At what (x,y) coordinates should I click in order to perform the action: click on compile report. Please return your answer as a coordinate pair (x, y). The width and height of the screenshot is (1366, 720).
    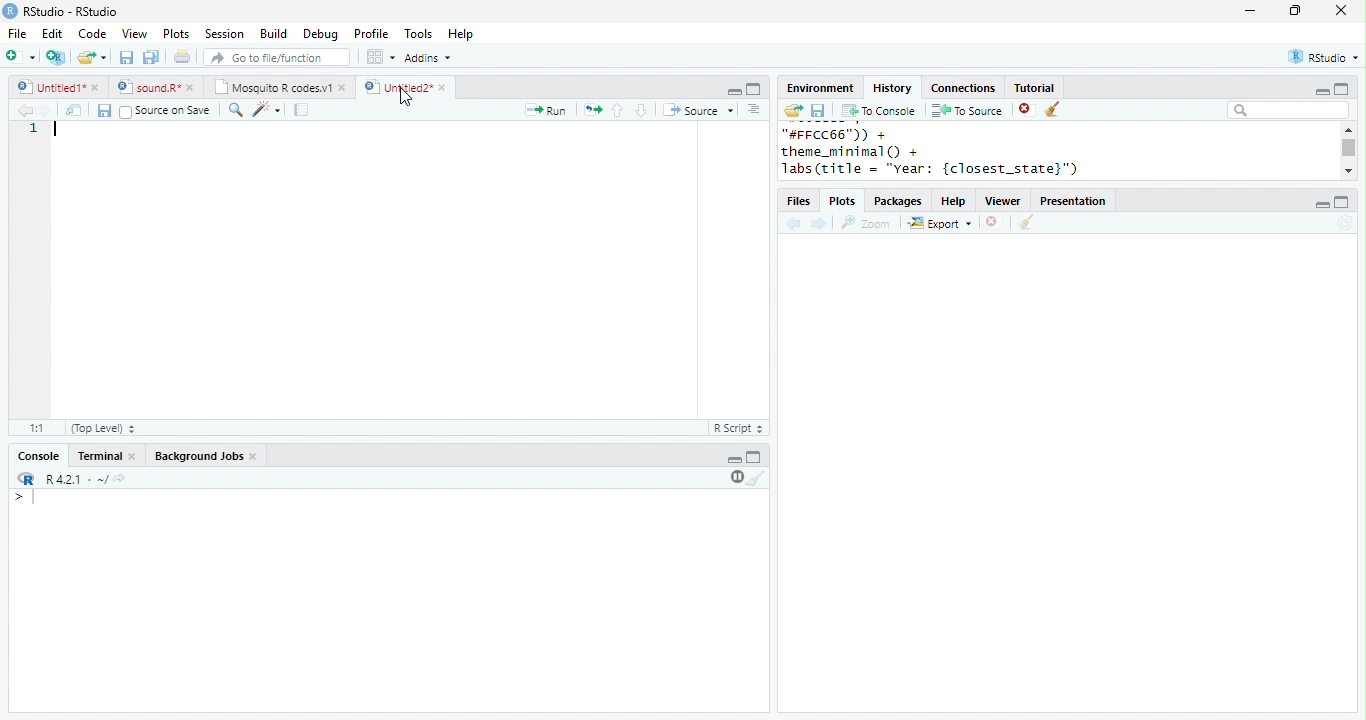
    Looking at the image, I should click on (302, 111).